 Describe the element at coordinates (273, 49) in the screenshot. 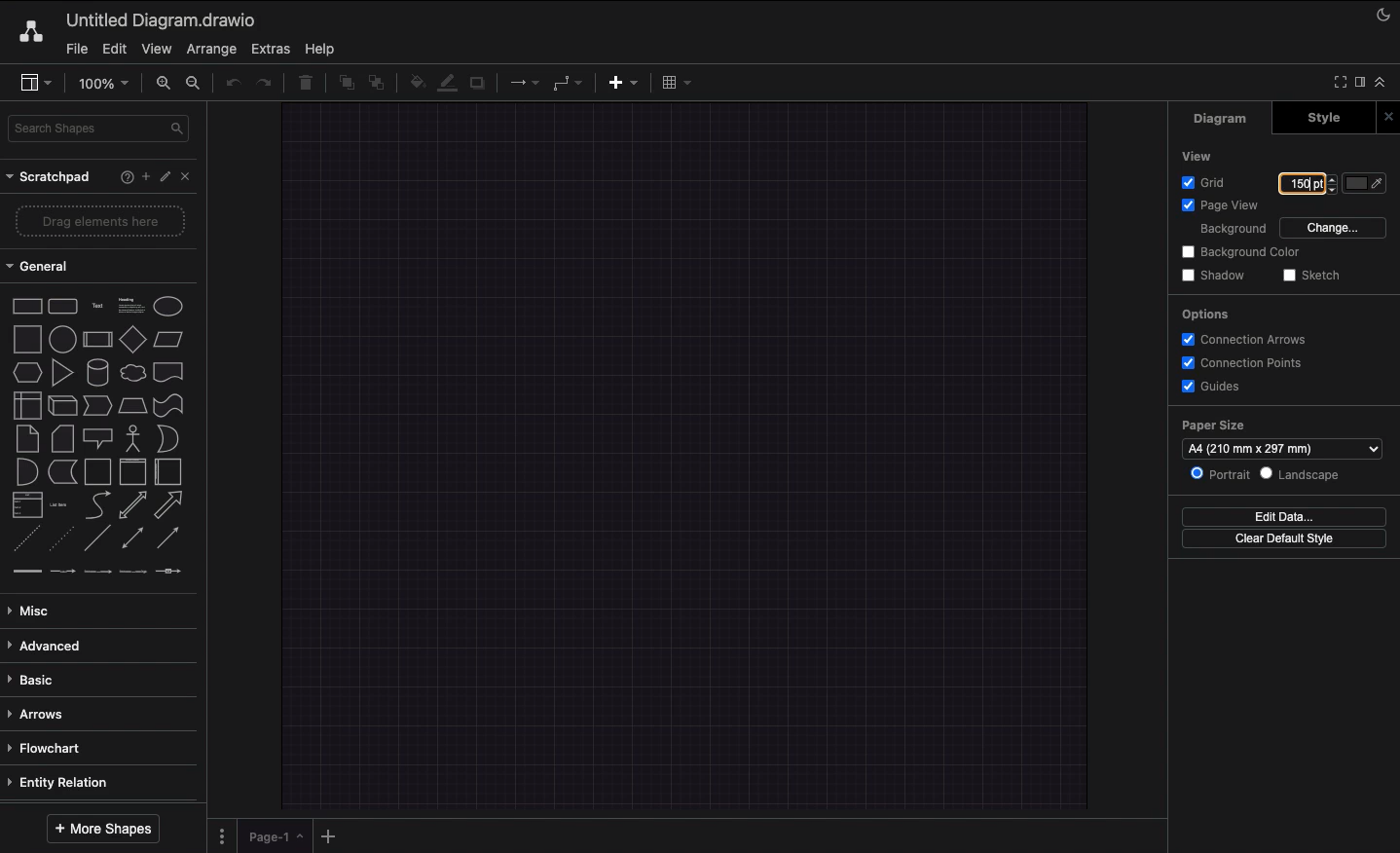

I see `Extras` at that location.